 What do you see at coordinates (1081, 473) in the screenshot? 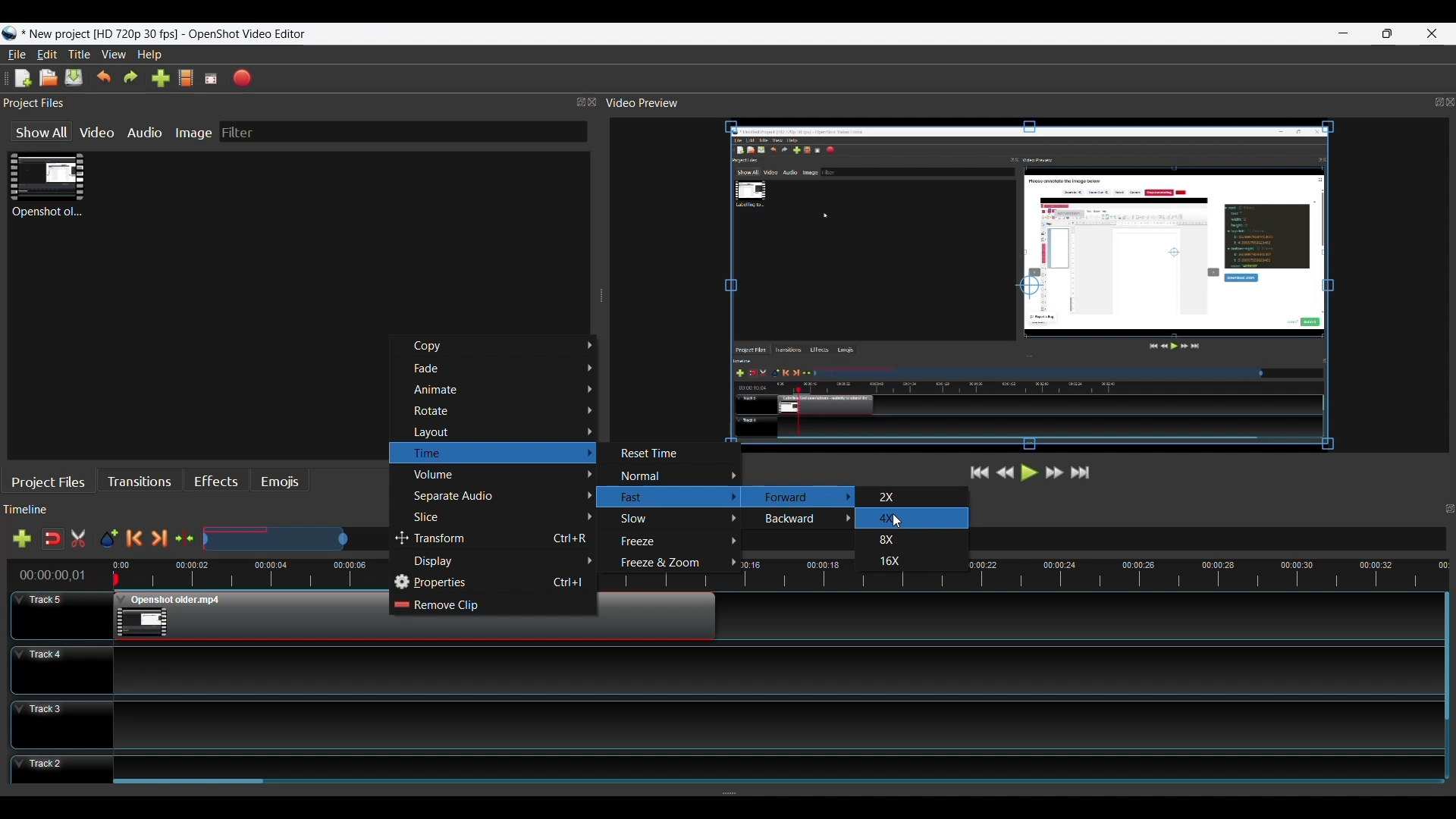
I see `Jump to the End` at bounding box center [1081, 473].